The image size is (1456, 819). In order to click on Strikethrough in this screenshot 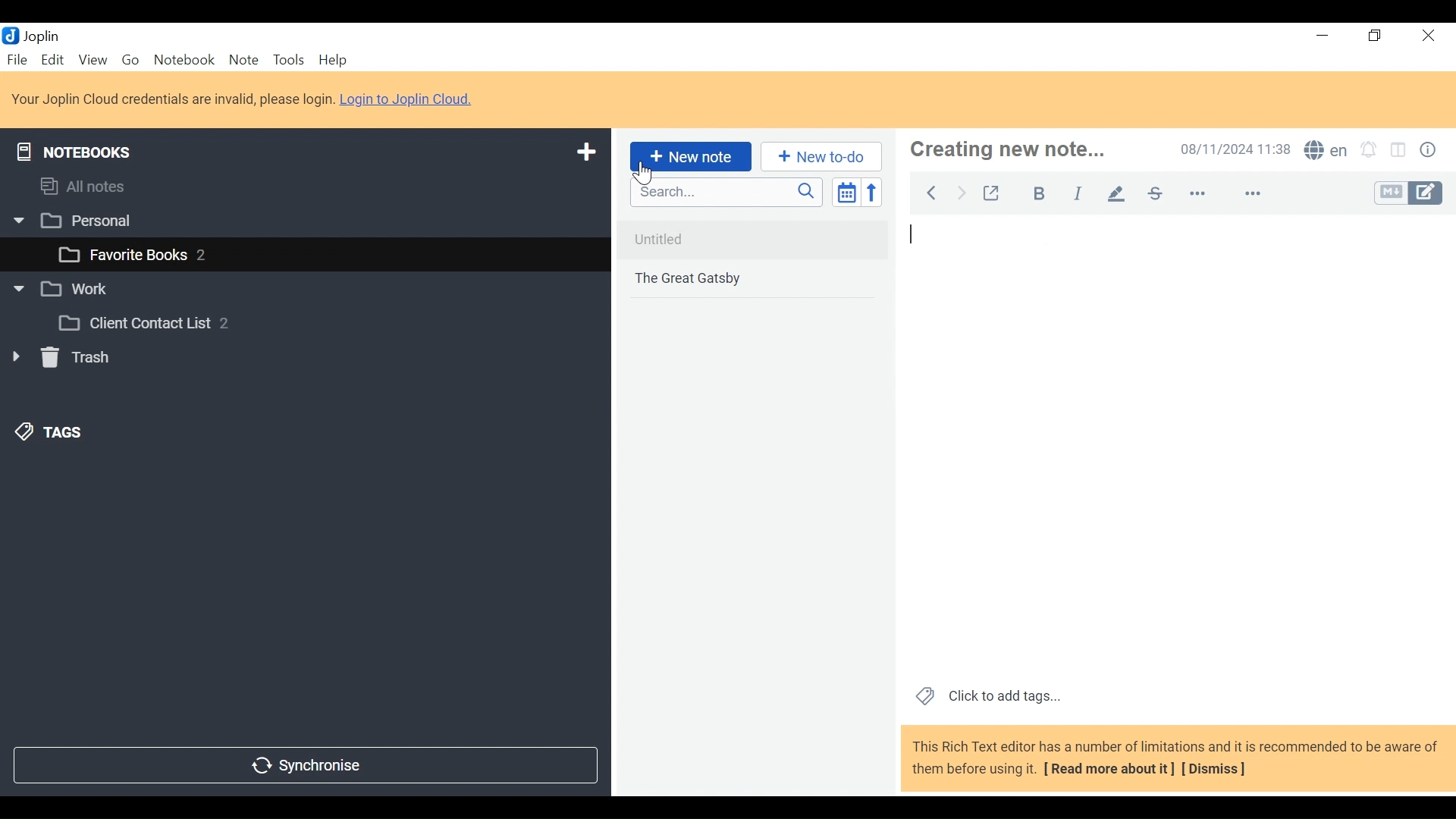, I will do `click(1156, 195)`.